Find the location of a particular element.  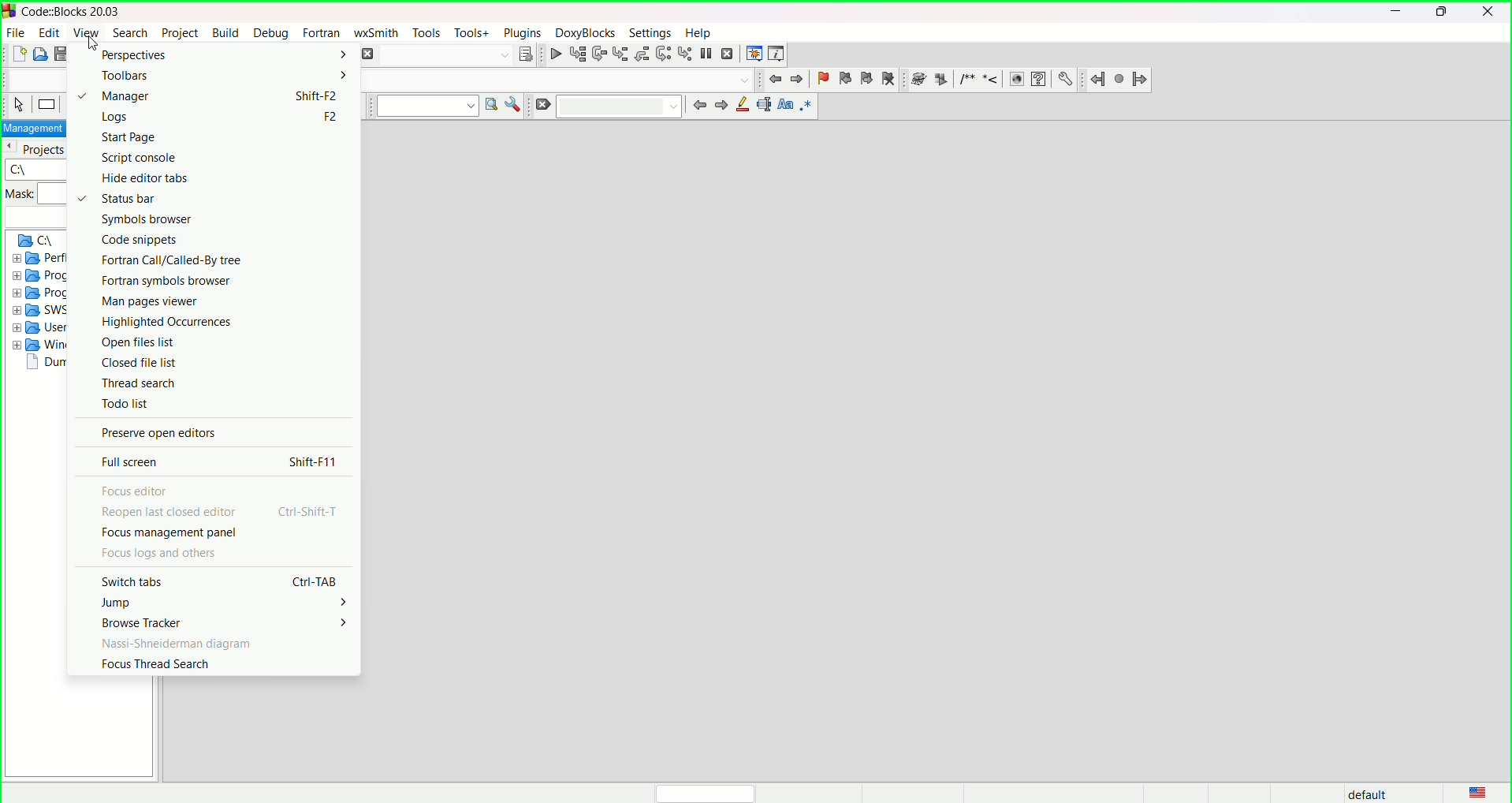

prev is located at coordinates (699, 106).